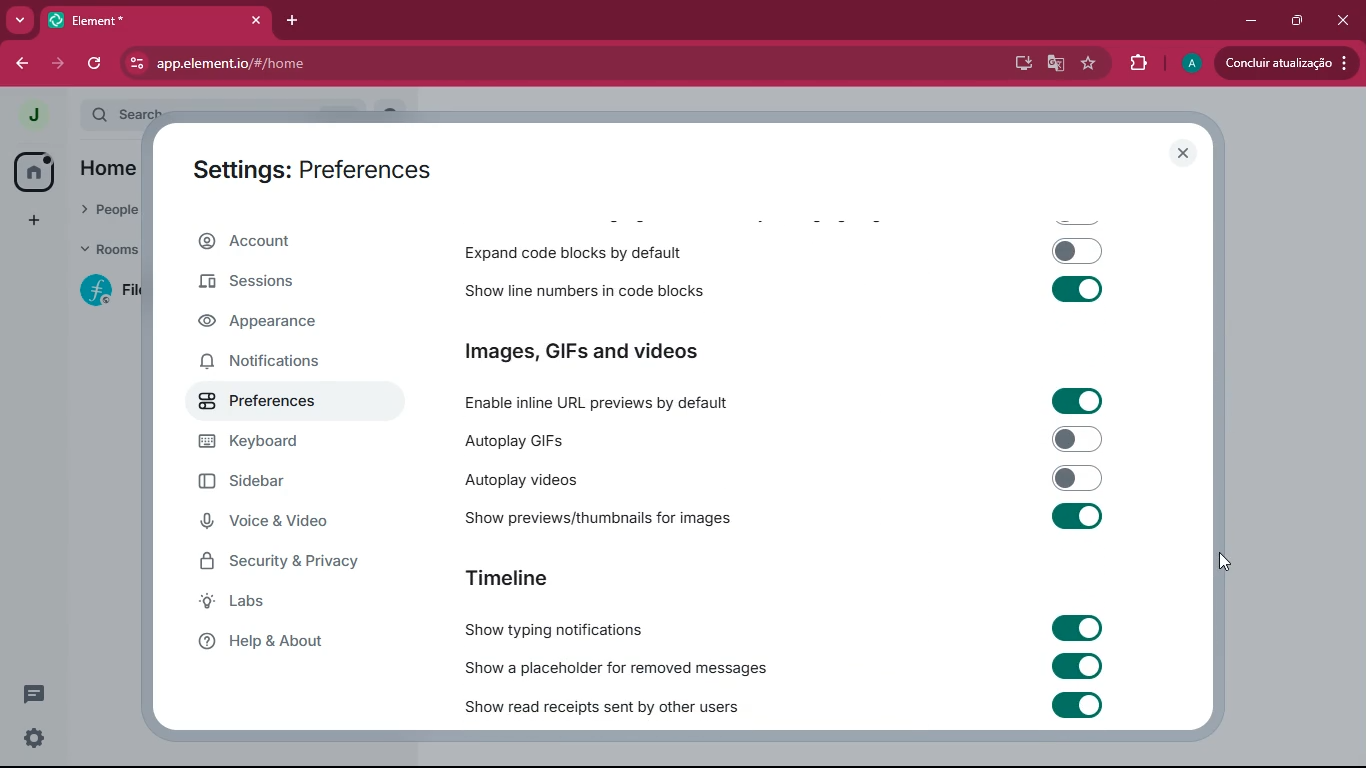 This screenshot has height=768, width=1366. What do you see at coordinates (1191, 65) in the screenshot?
I see `profile picture` at bounding box center [1191, 65].